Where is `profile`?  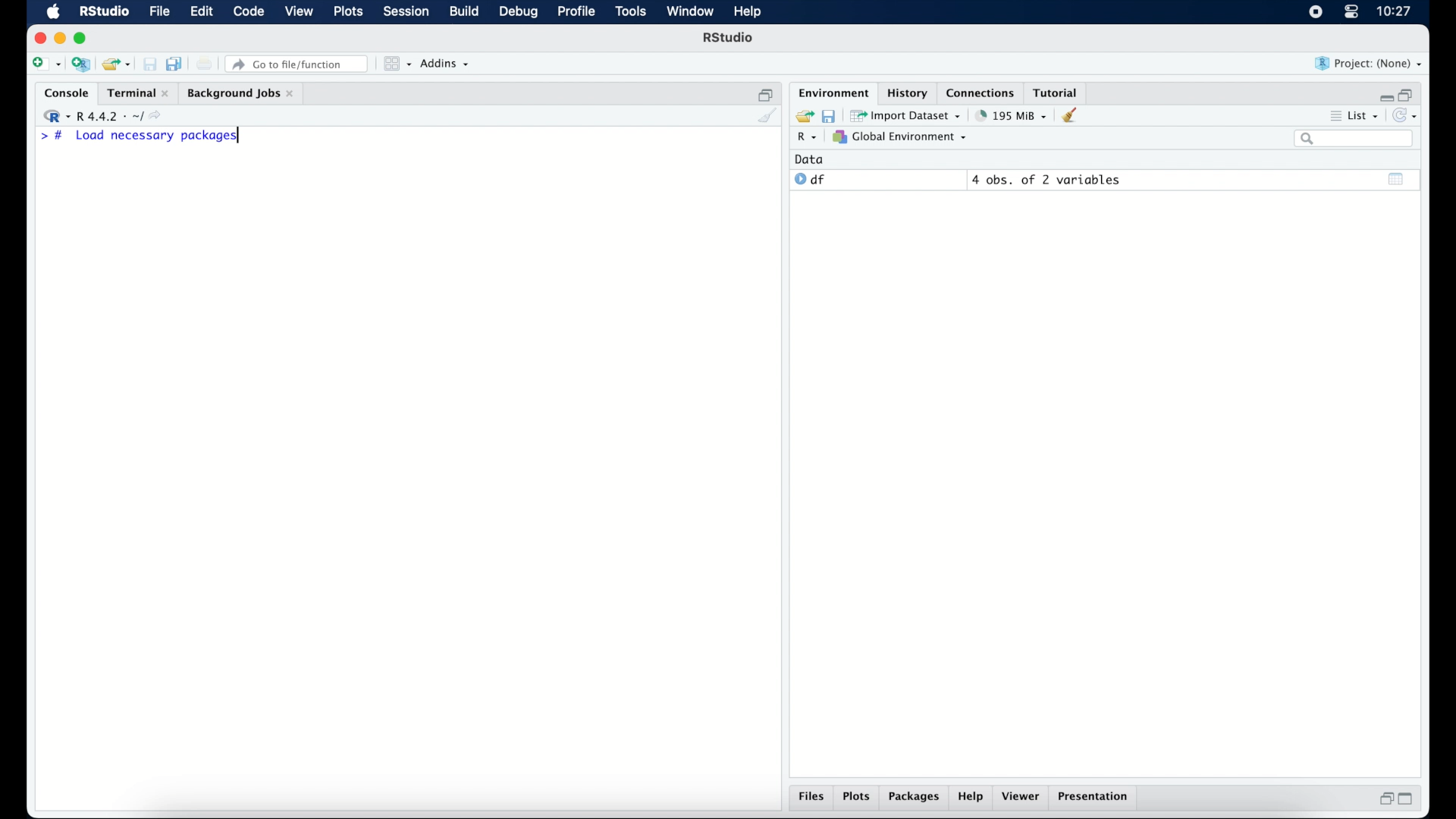
profile is located at coordinates (576, 12).